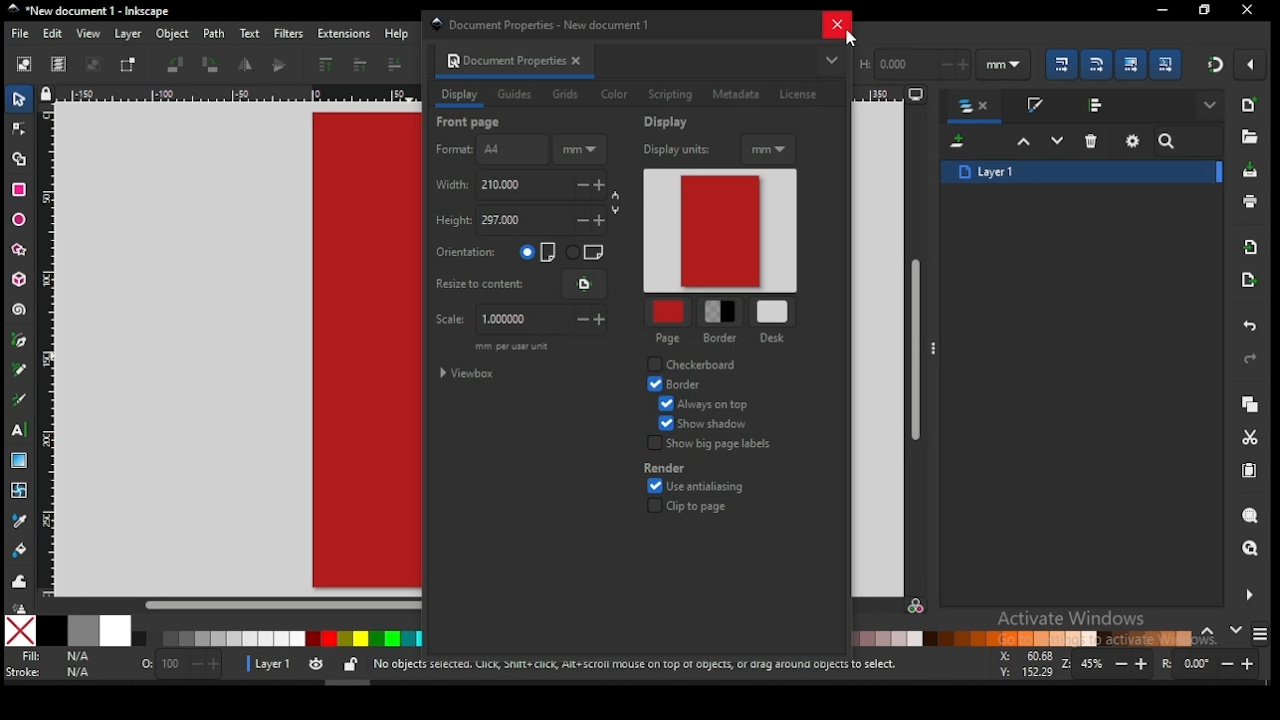 The image size is (1280, 720). Describe the element at coordinates (1057, 141) in the screenshot. I see `lower selection one step` at that location.